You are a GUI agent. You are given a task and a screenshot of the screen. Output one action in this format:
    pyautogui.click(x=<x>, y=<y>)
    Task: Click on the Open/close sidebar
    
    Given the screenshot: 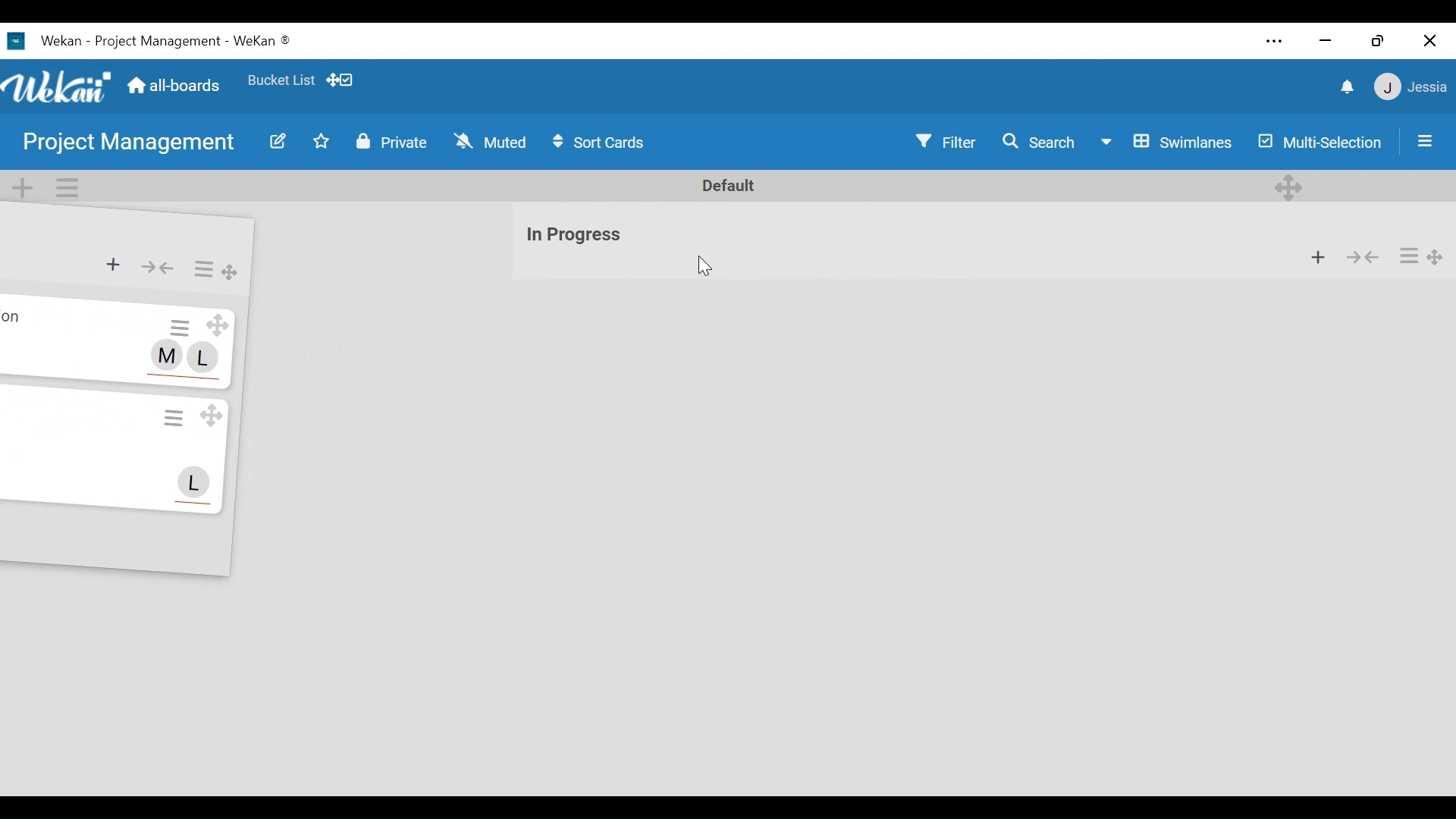 What is the action you would take?
    pyautogui.click(x=1425, y=141)
    